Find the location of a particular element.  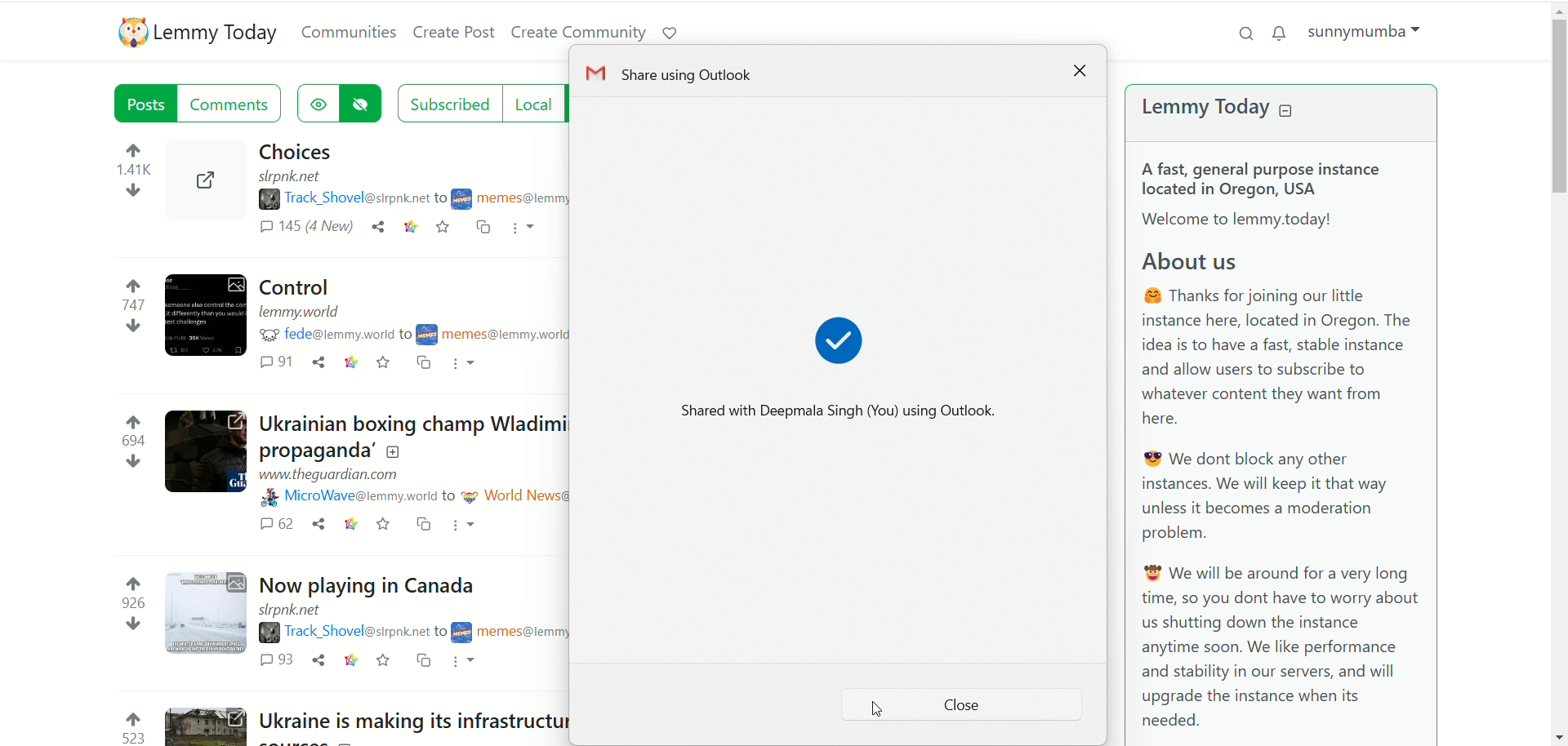

URL is located at coordinates (332, 476).